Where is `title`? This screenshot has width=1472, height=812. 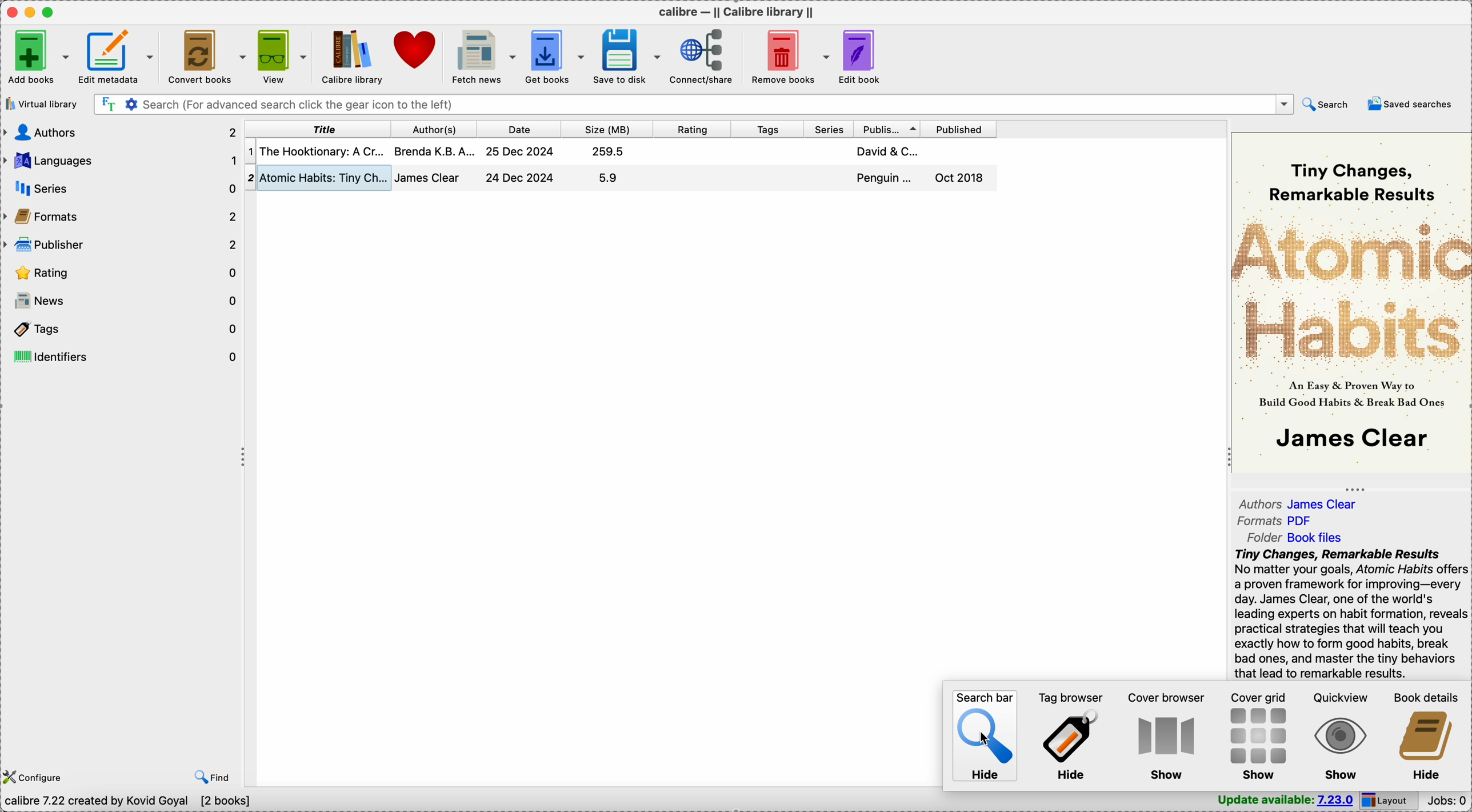 title is located at coordinates (318, 129).